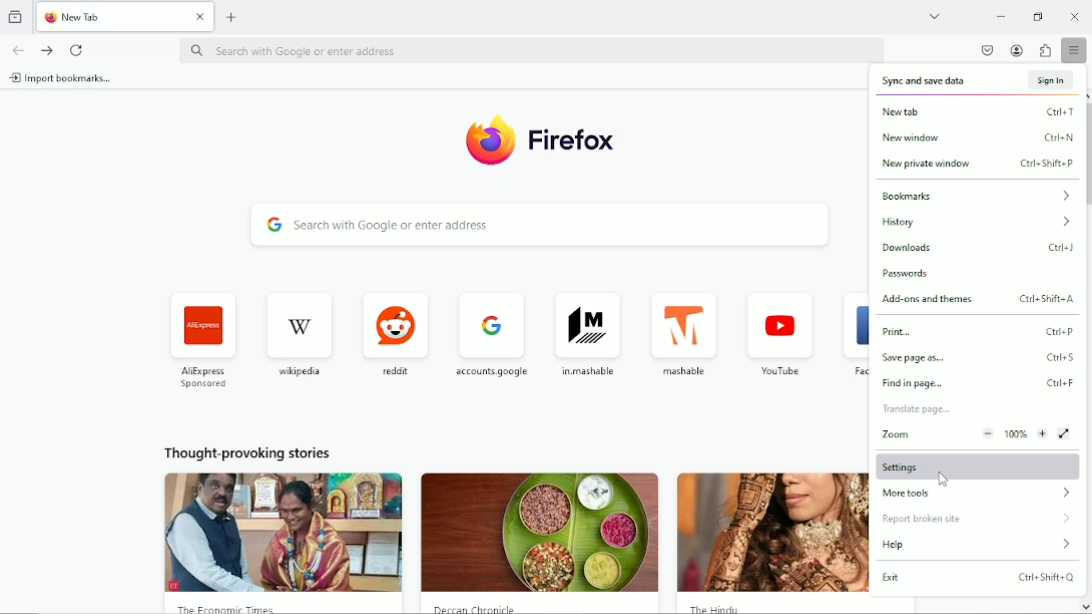  What do you see at coordinates (986, 48) in the screenshot?
I see `save to pocket` at bounding box center [986, 48].